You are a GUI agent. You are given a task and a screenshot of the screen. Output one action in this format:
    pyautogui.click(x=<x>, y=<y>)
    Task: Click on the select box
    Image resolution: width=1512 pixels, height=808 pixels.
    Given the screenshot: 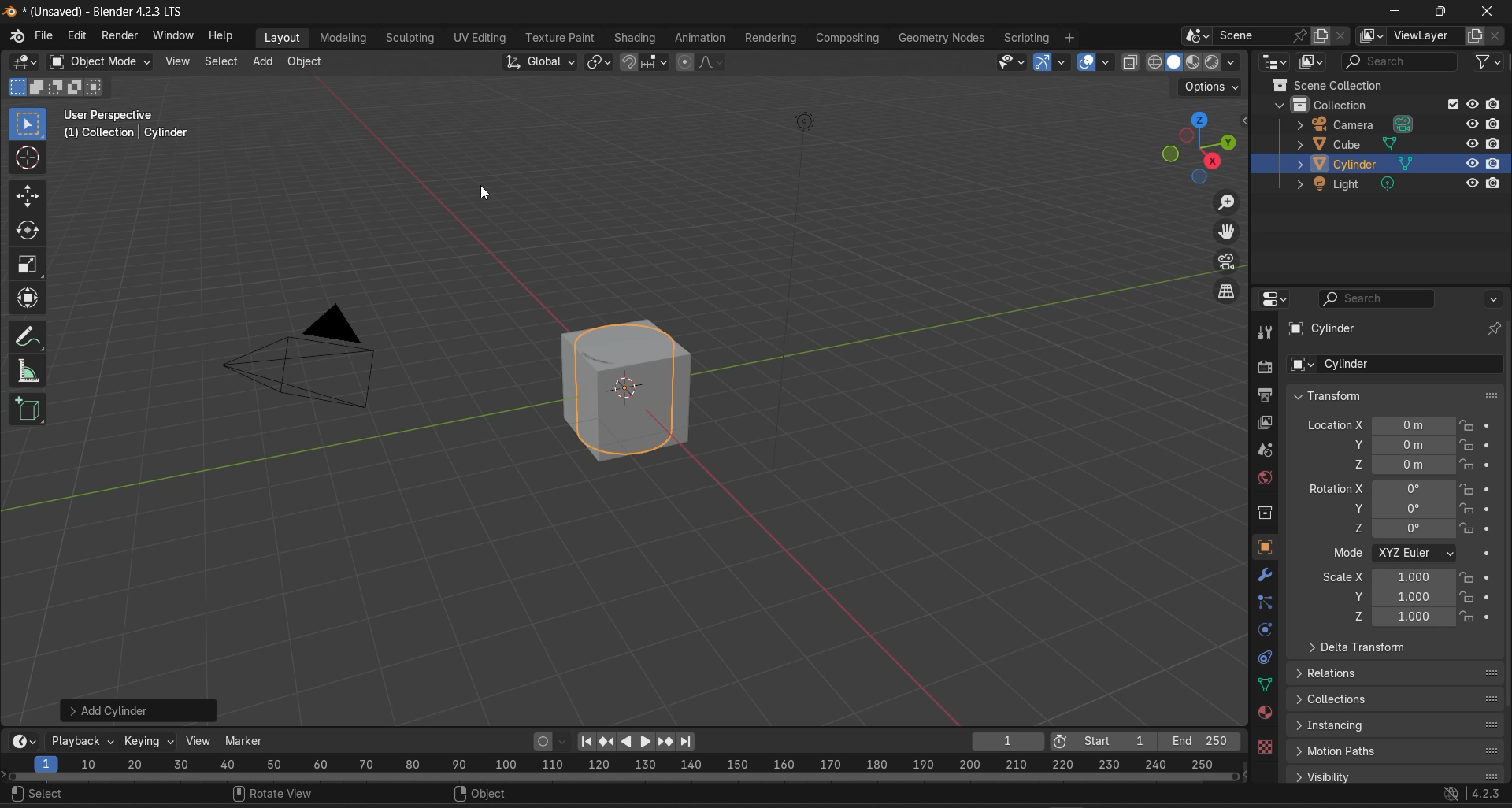 What is the action you would take?
    pyautogui.click(x=28, y=122)
    